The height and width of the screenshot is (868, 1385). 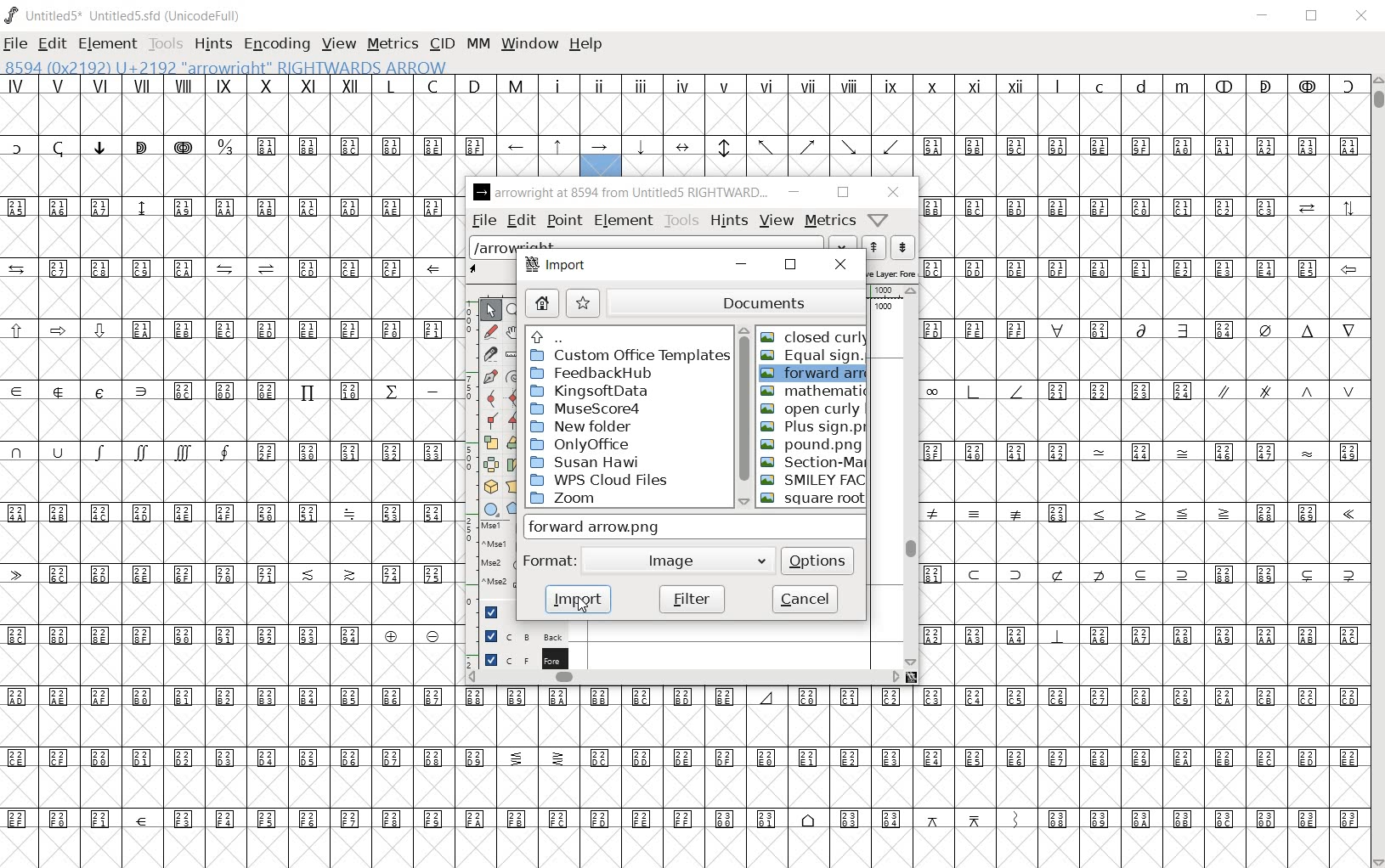 What do you see at coordinates (789, 265) in the screenshot?
I see `restore` at bounding box center [789, 265].